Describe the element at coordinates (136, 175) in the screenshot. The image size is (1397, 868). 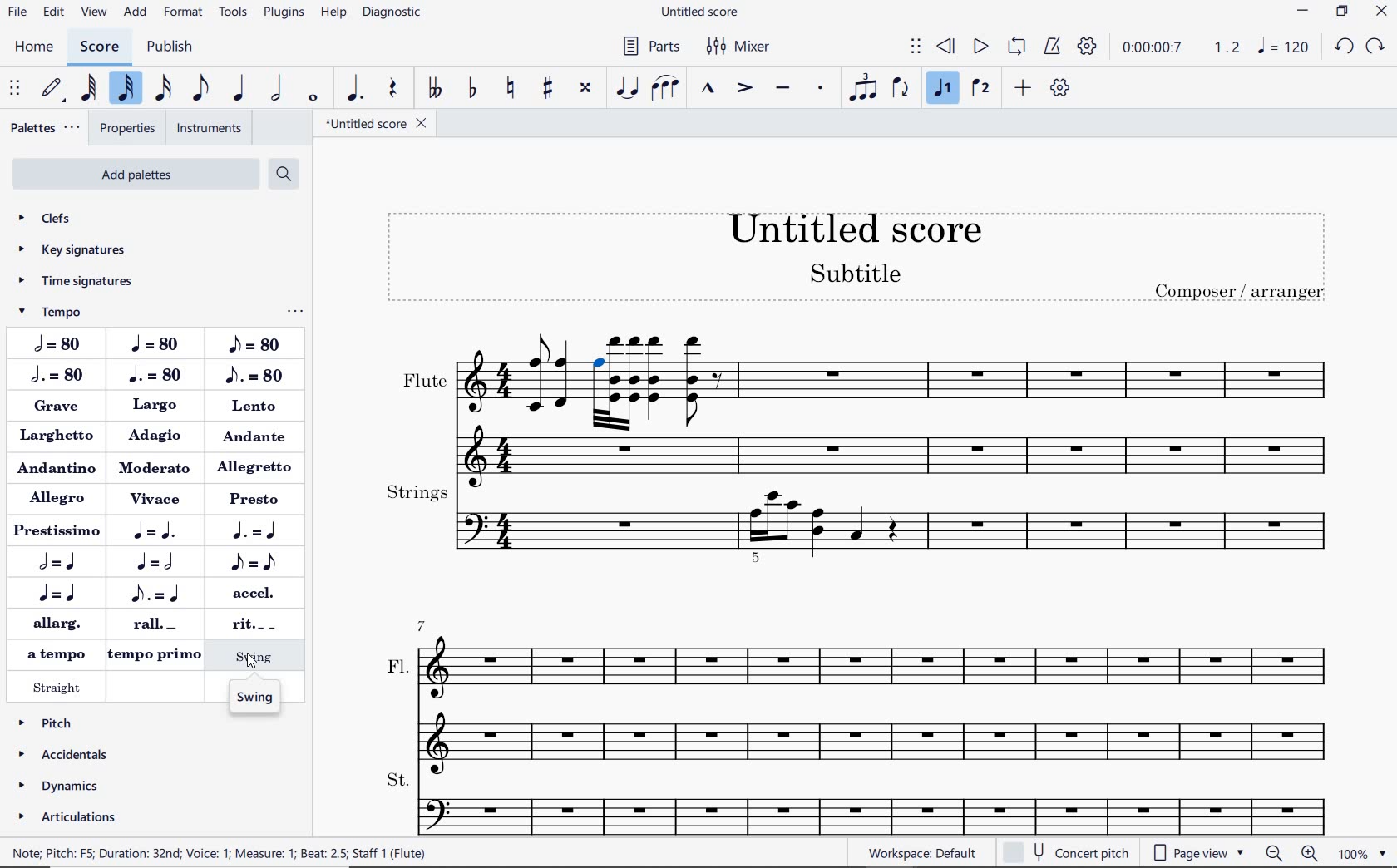
I see `add palettes` at that location.